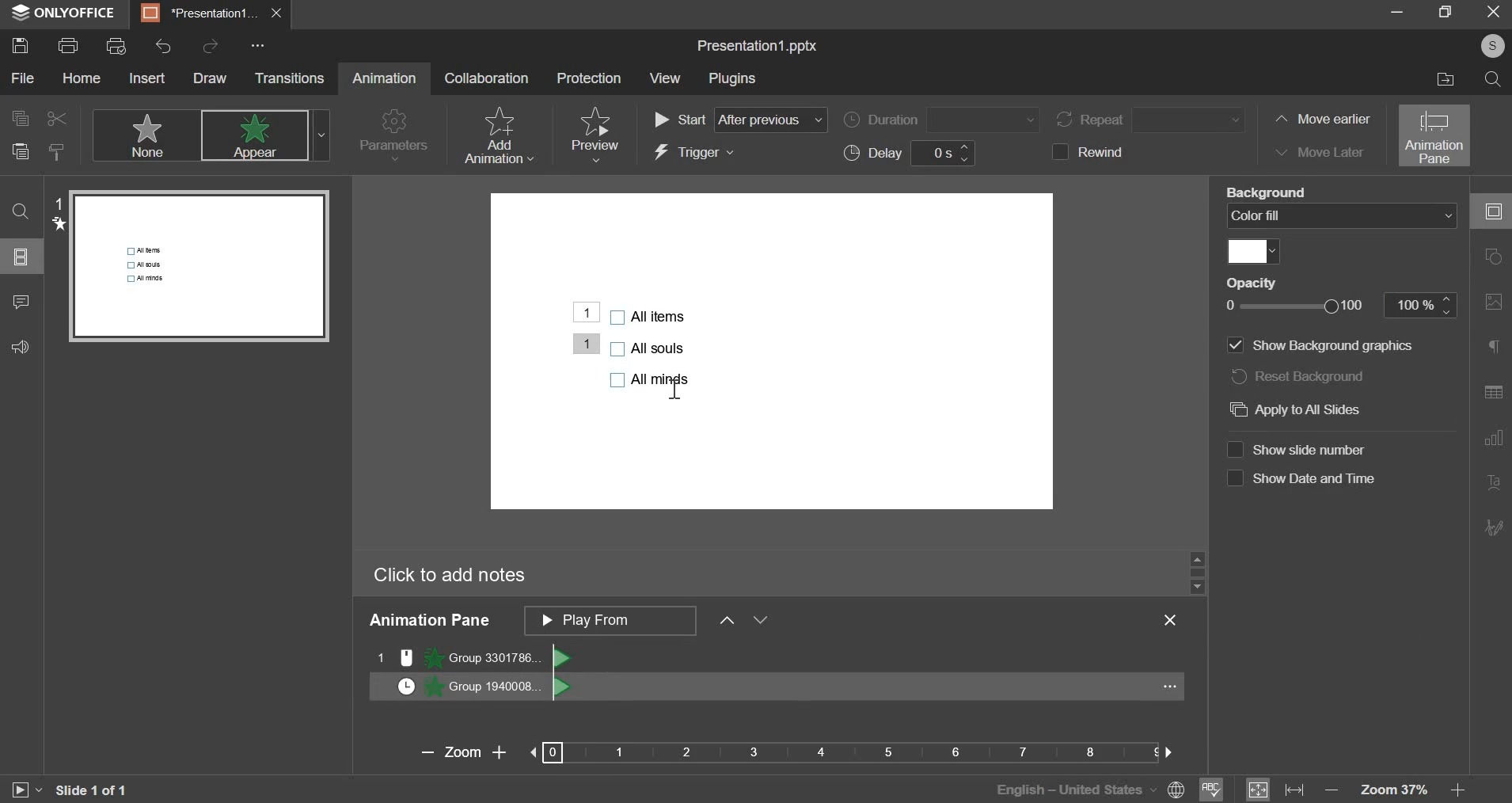  What do you see at coordinates (1344, 215) in the screenshot?
I see `background fill` at bounding box center [1344, 215].